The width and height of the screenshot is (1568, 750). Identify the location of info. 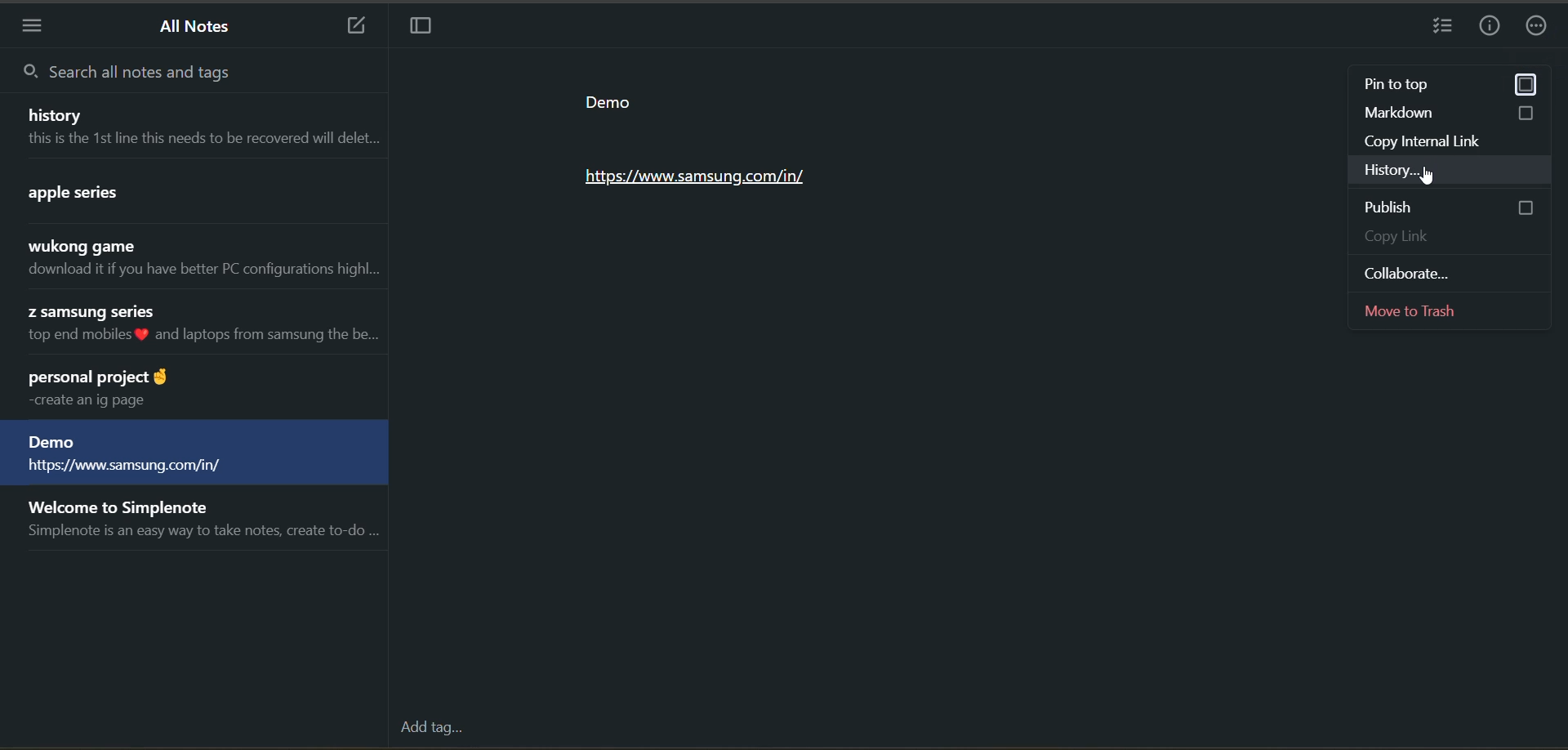
(1493, 25).